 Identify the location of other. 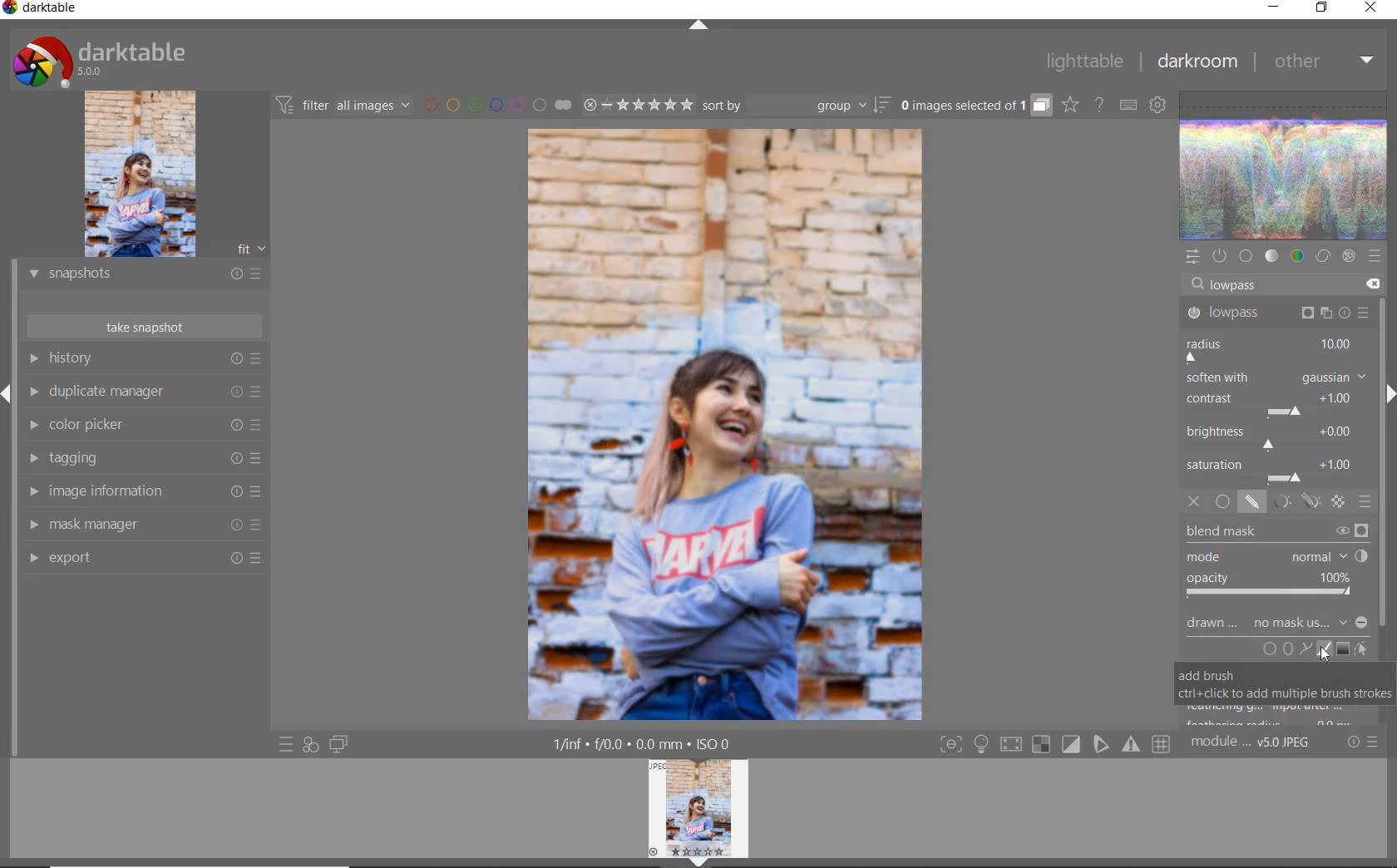
(1323, 65).